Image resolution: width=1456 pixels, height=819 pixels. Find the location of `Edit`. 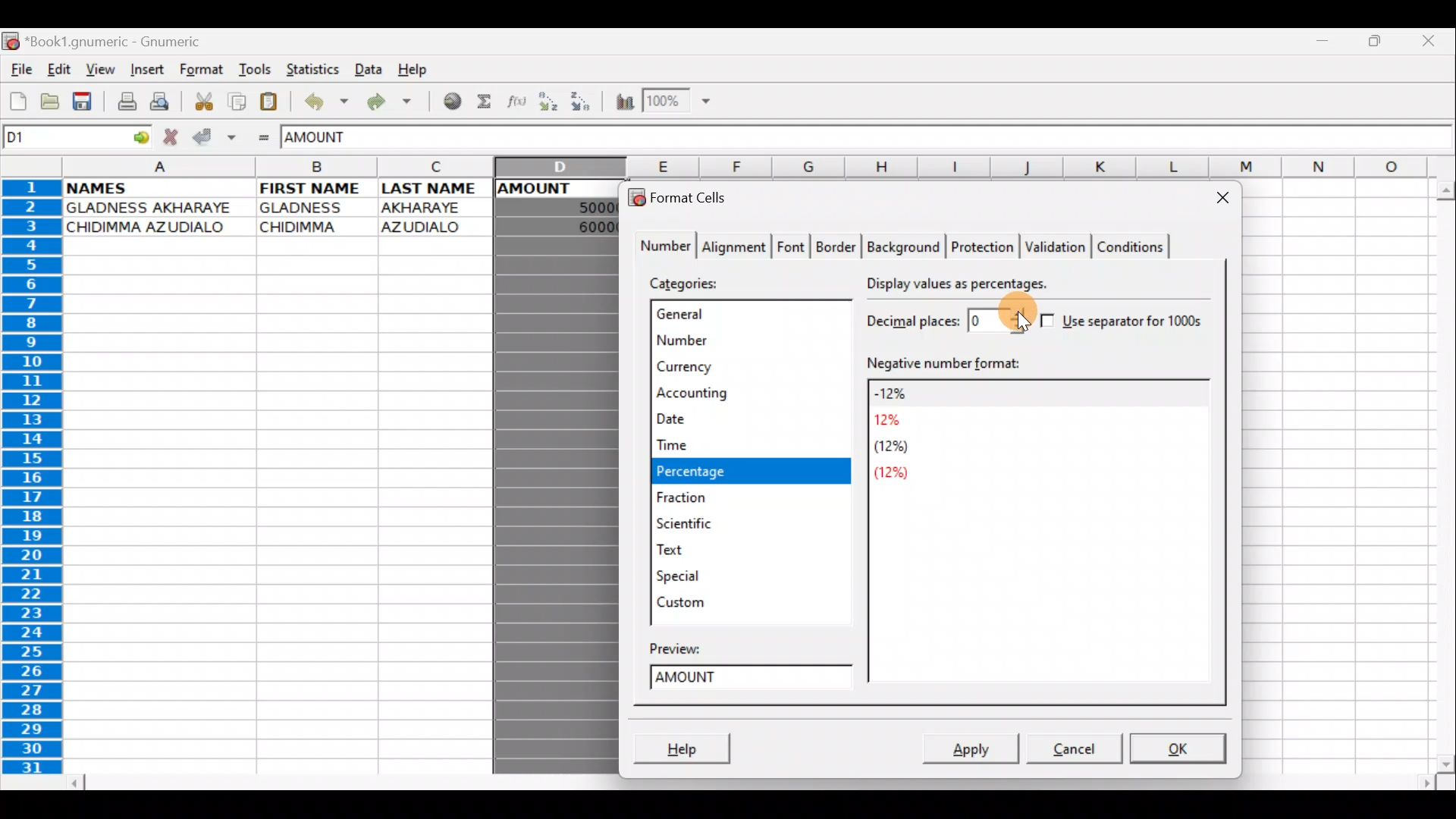

Edit is located at coordinates (61, 71).